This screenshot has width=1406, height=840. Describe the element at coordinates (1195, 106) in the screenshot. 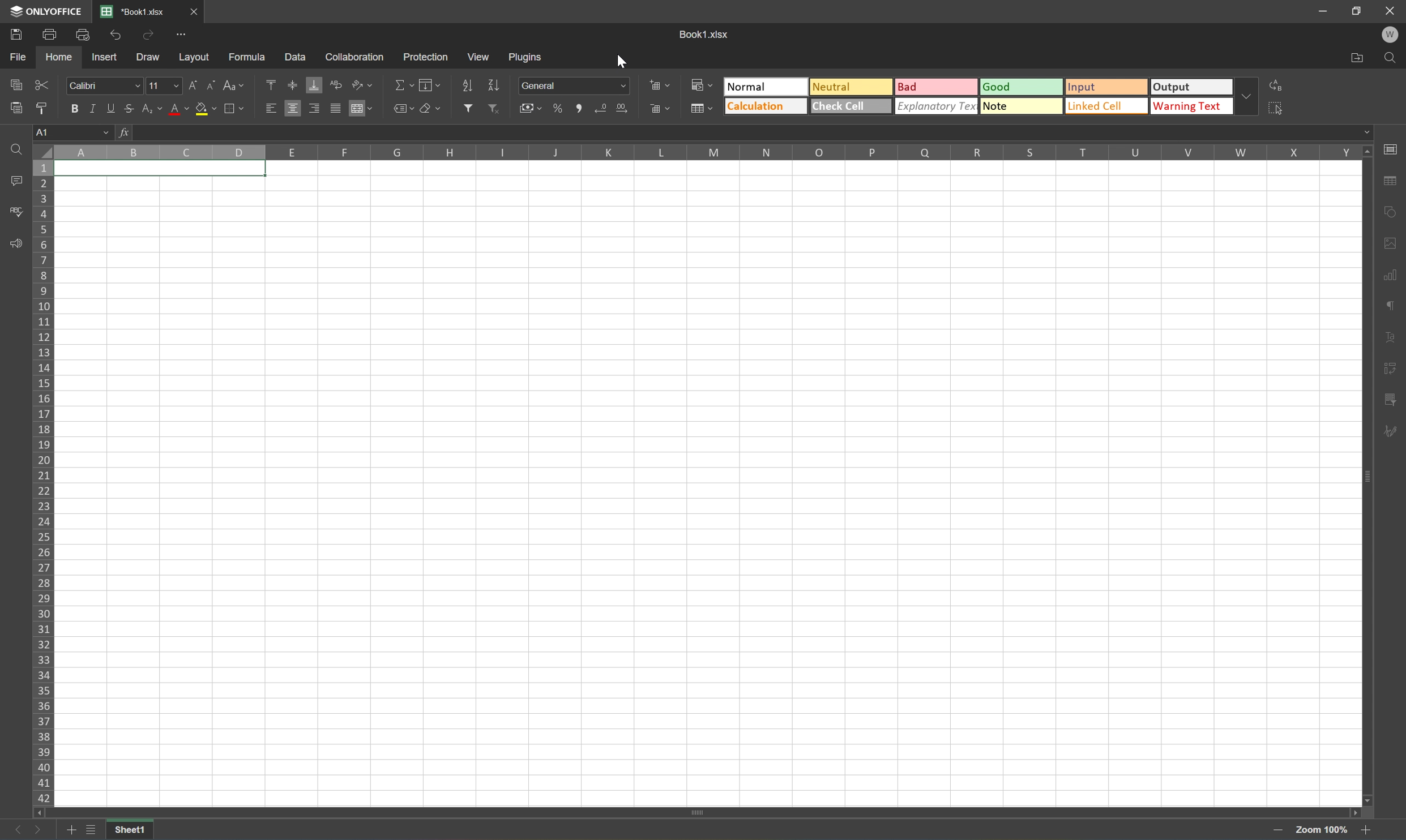

I see `Warning text` at that location.